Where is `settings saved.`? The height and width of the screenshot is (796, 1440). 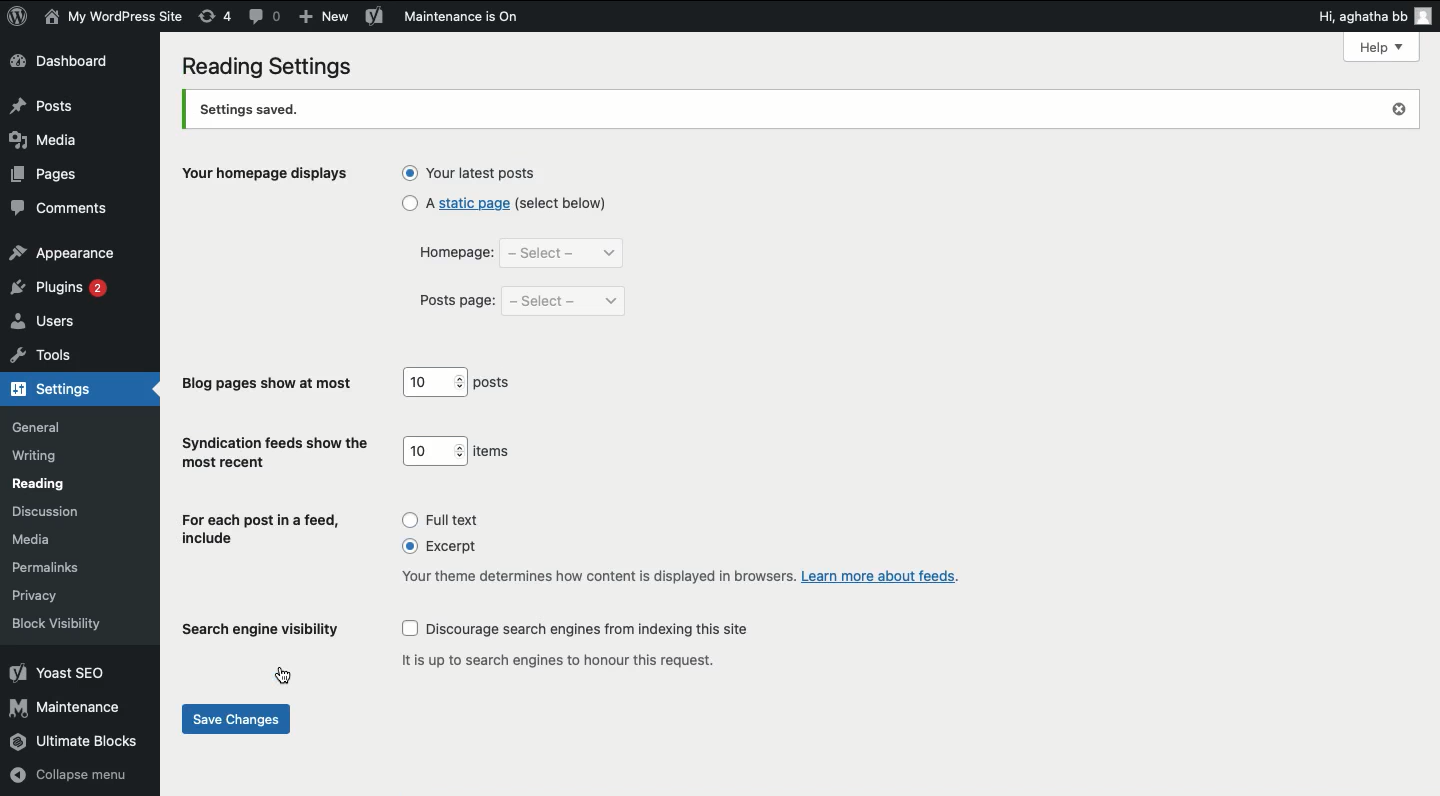 settings saved. is located at coordinates (252, 112).